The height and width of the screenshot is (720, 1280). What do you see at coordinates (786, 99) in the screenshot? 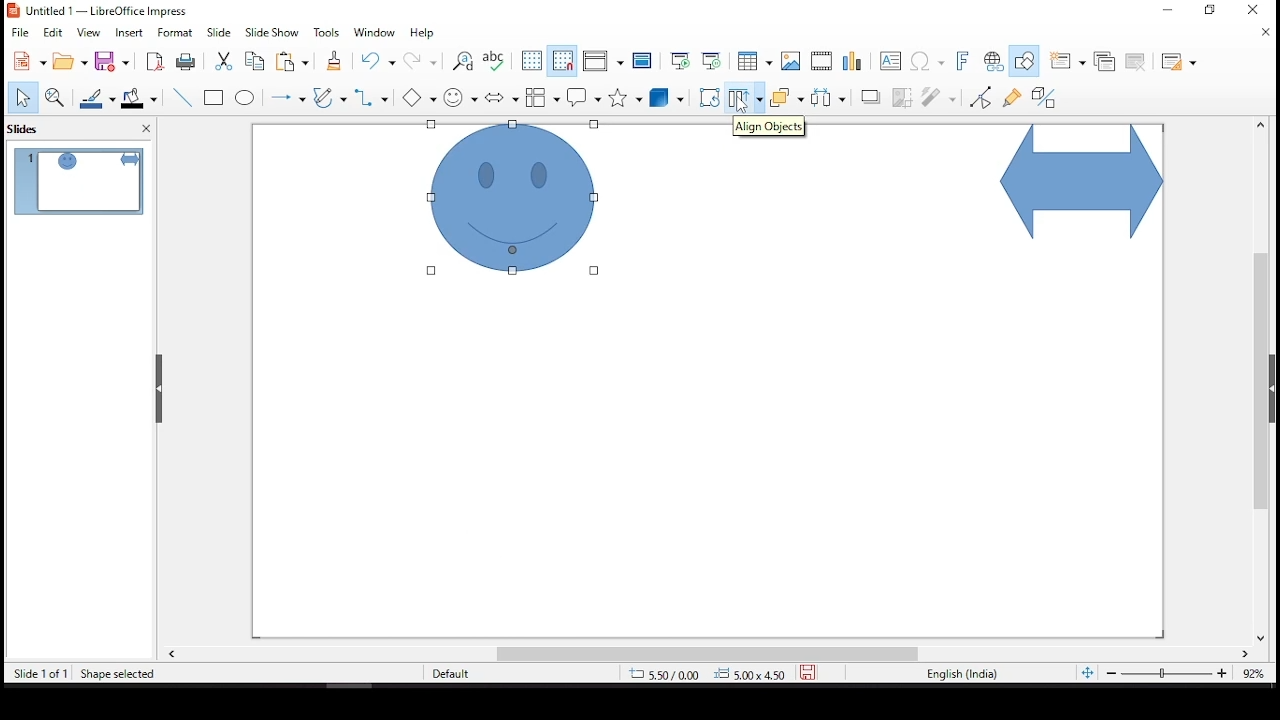
I see `arrange` at bounding box center [786, 99].